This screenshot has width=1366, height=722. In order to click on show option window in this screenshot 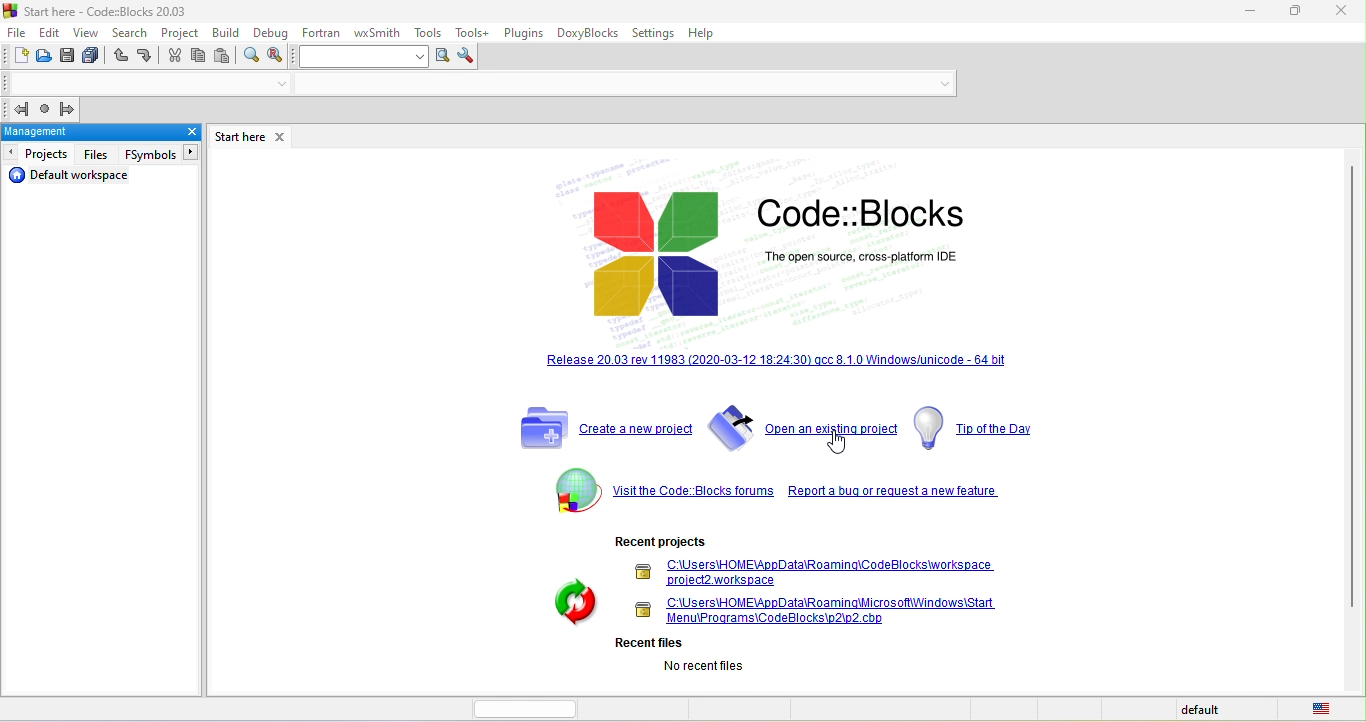, I will do `click(467, 57)`.